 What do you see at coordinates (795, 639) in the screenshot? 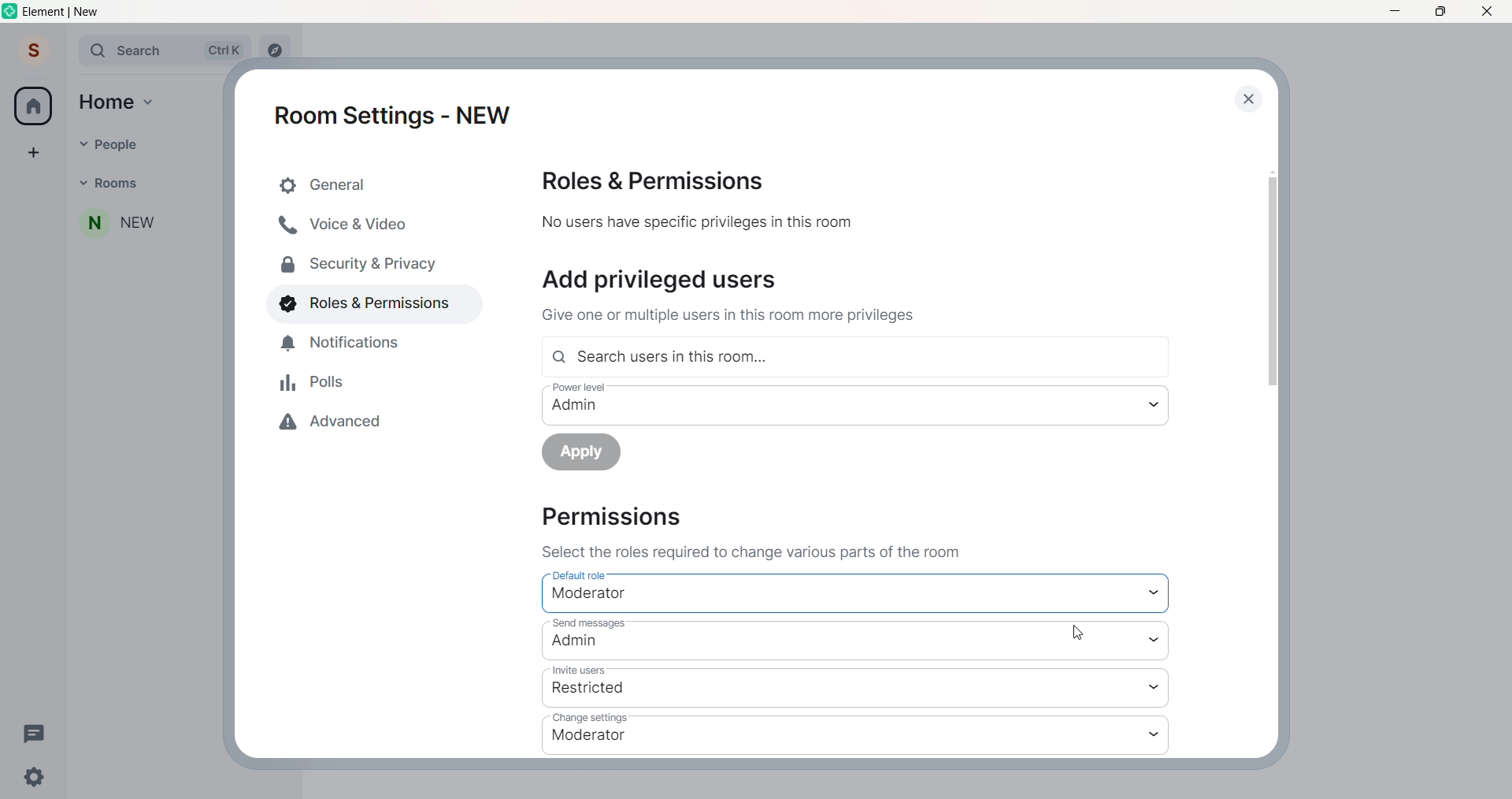
I see `send message ` at bounding box center [795, 639].